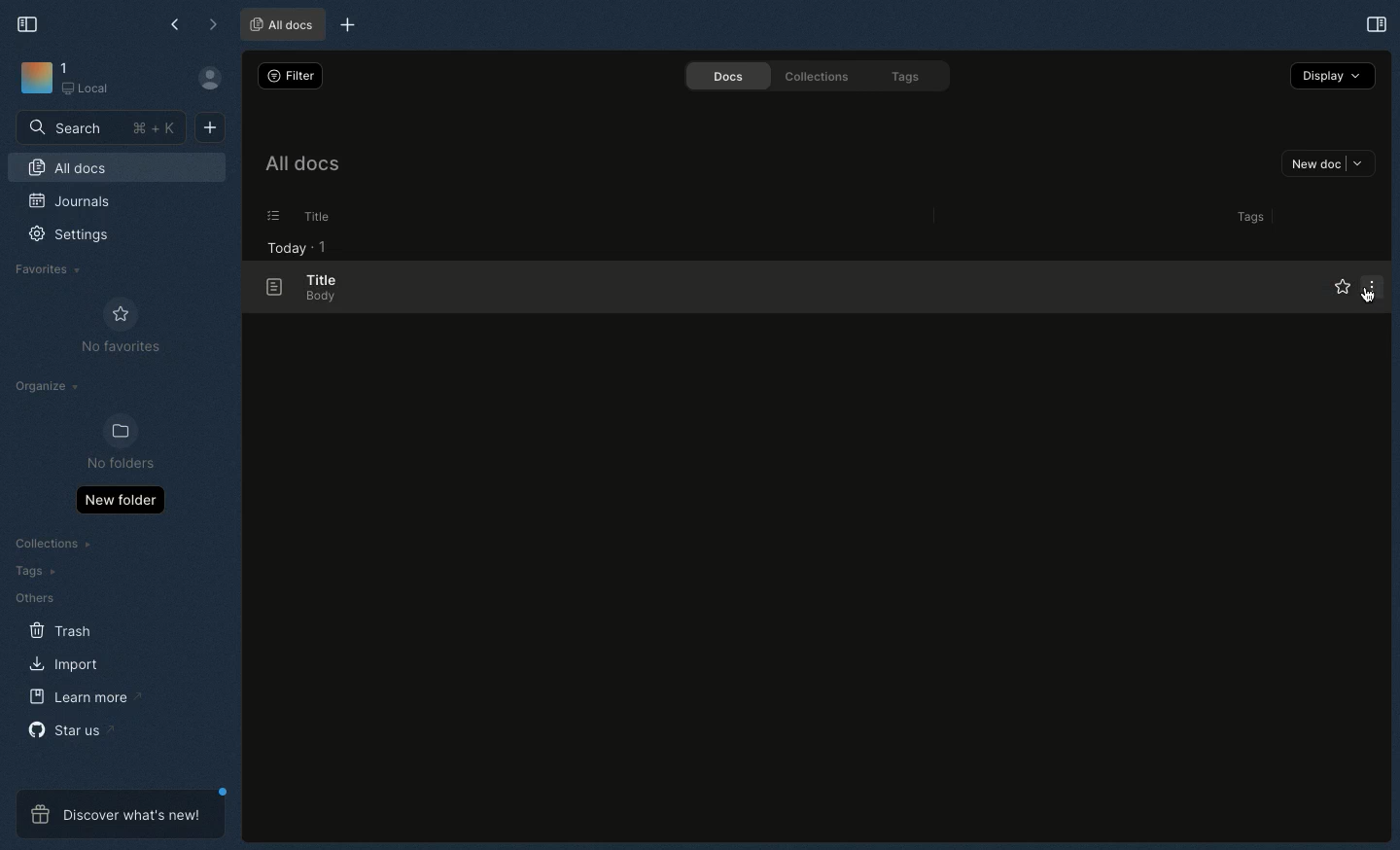  I want to click on Learn more, so click(86, 697).